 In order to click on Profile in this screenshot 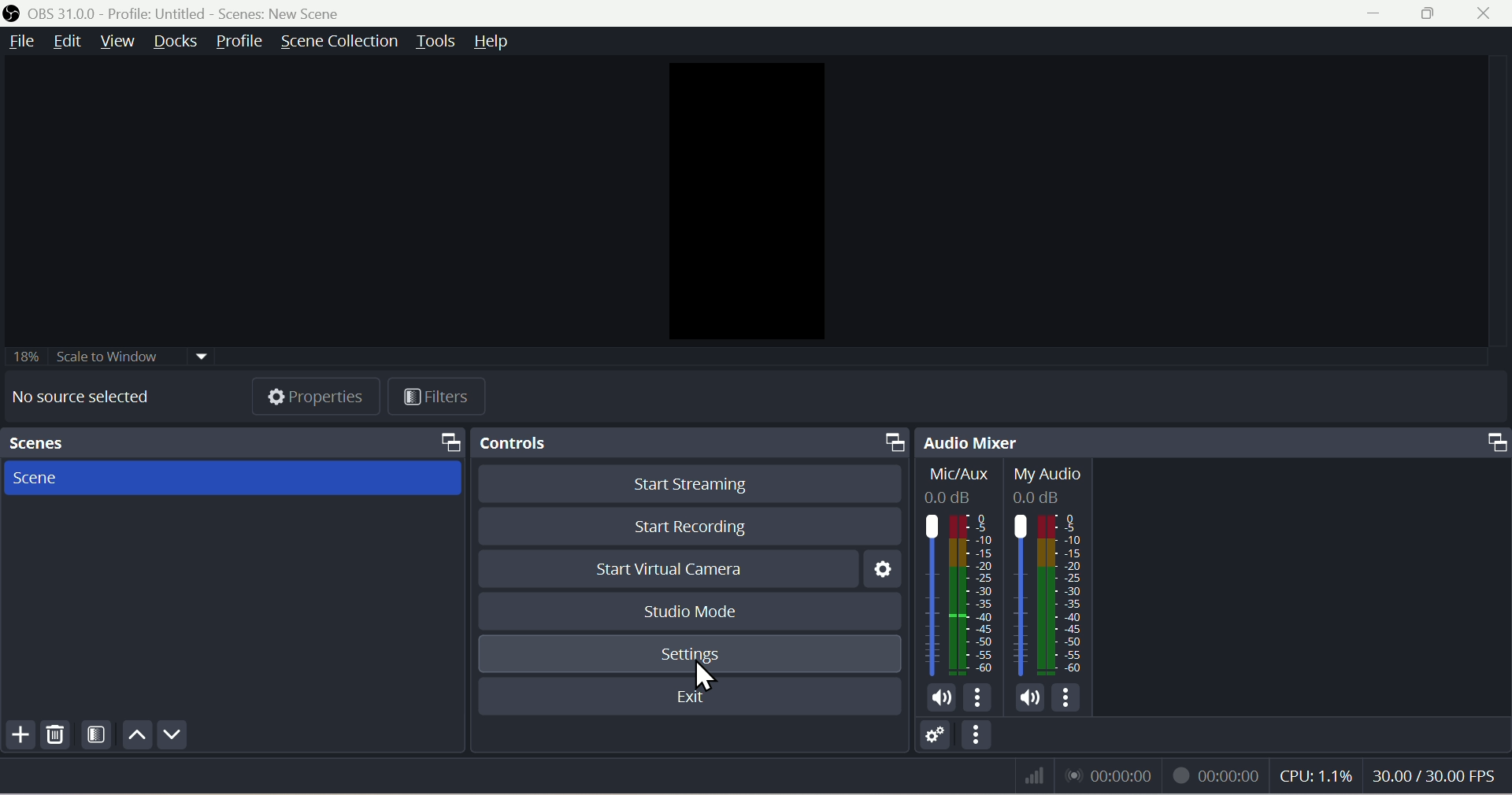, I will do `click(235, 43)`.